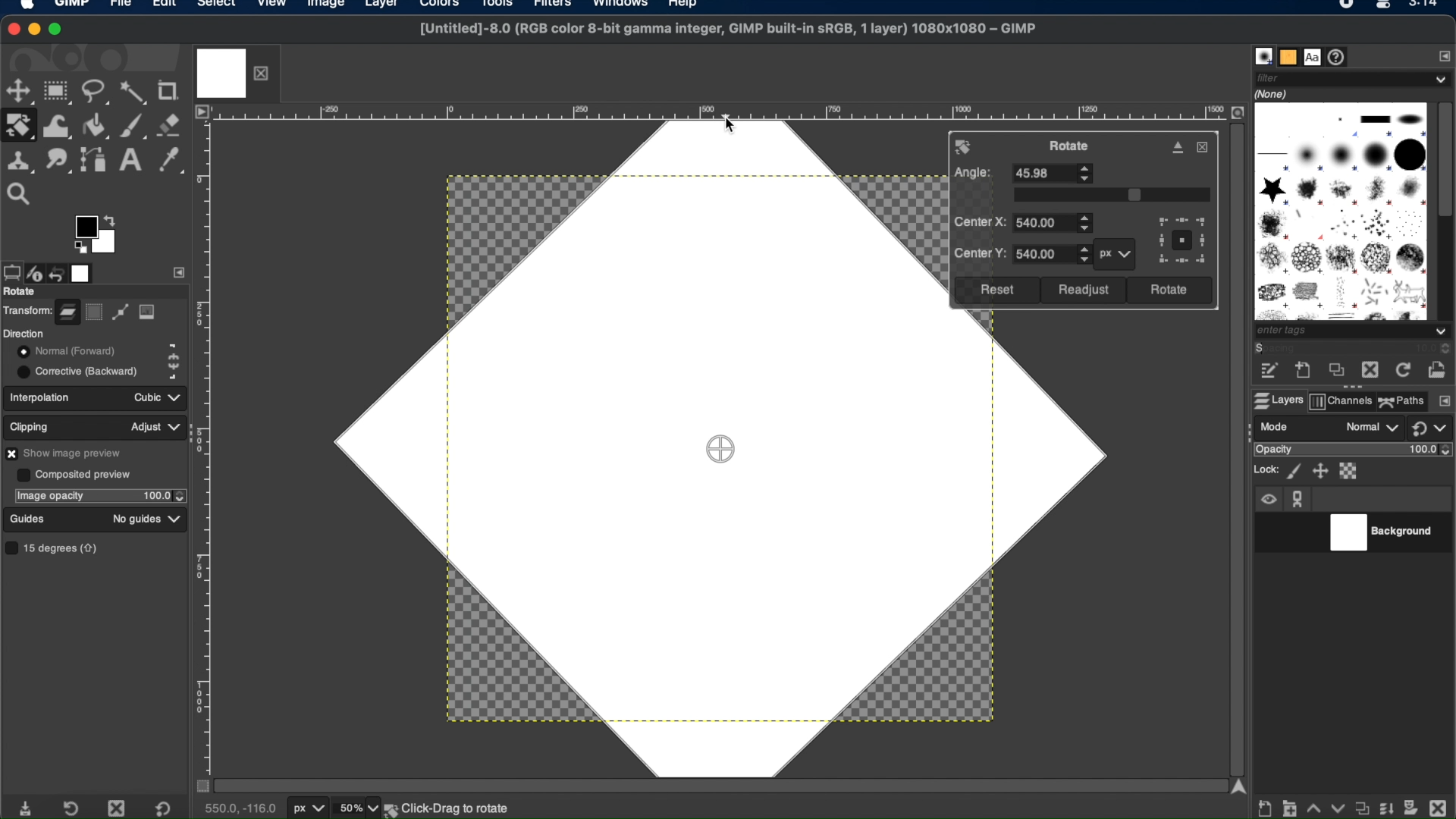 Image resolution: width=1456 pixels, height=819 pixels. What do you see at coordinates (1020, 254) in the screenshot?
I see `center y` at bounding box center [1020, 254].